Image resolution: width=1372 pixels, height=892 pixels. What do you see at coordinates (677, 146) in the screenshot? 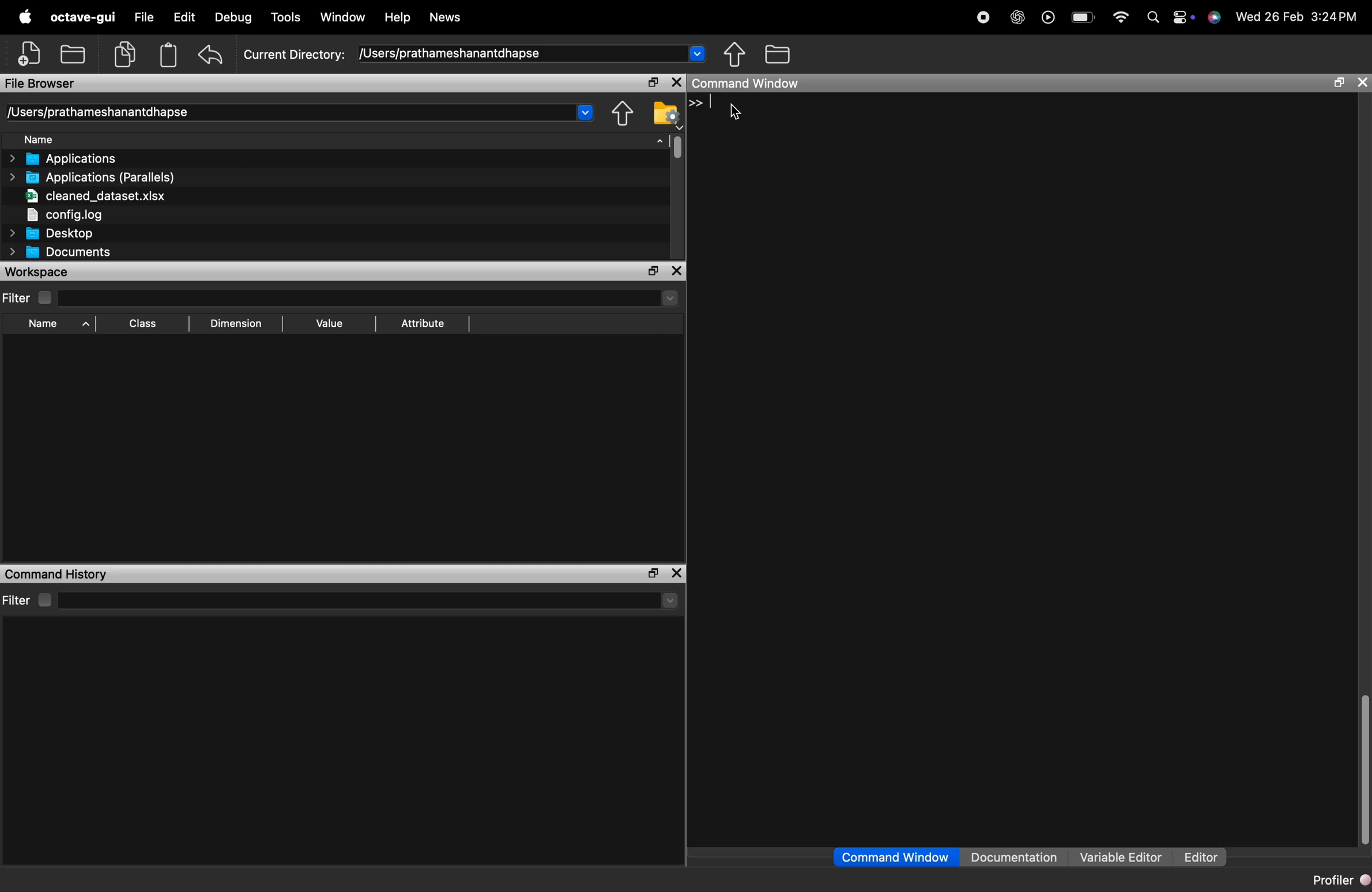
I see `Scroll bar` at bounding box center [677, 146].